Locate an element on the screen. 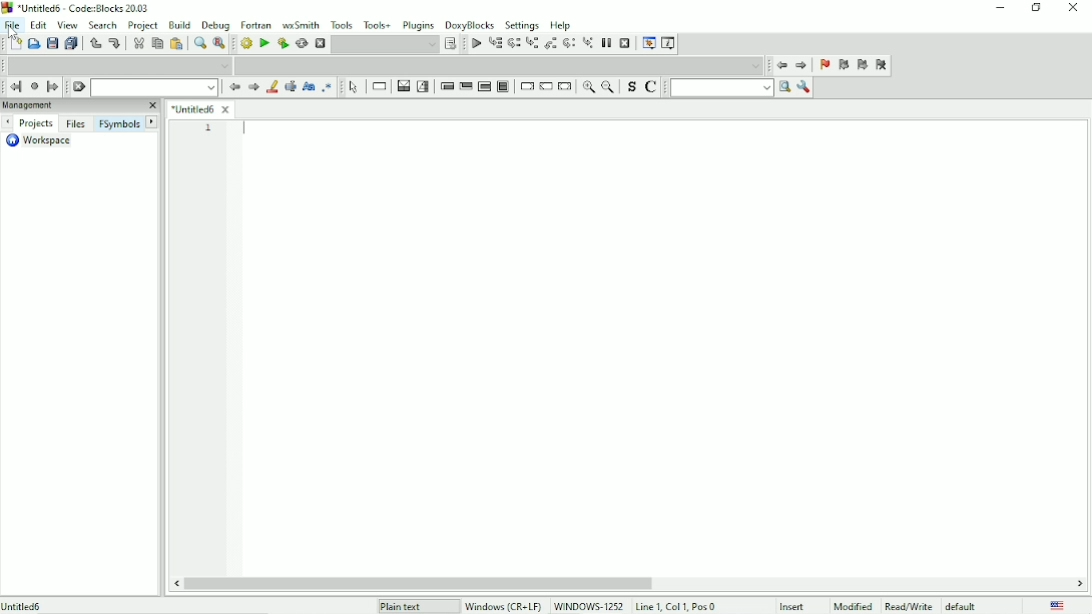 This screenshot has width=1092, height=614. Show options window is located at coordinates (805, 88).